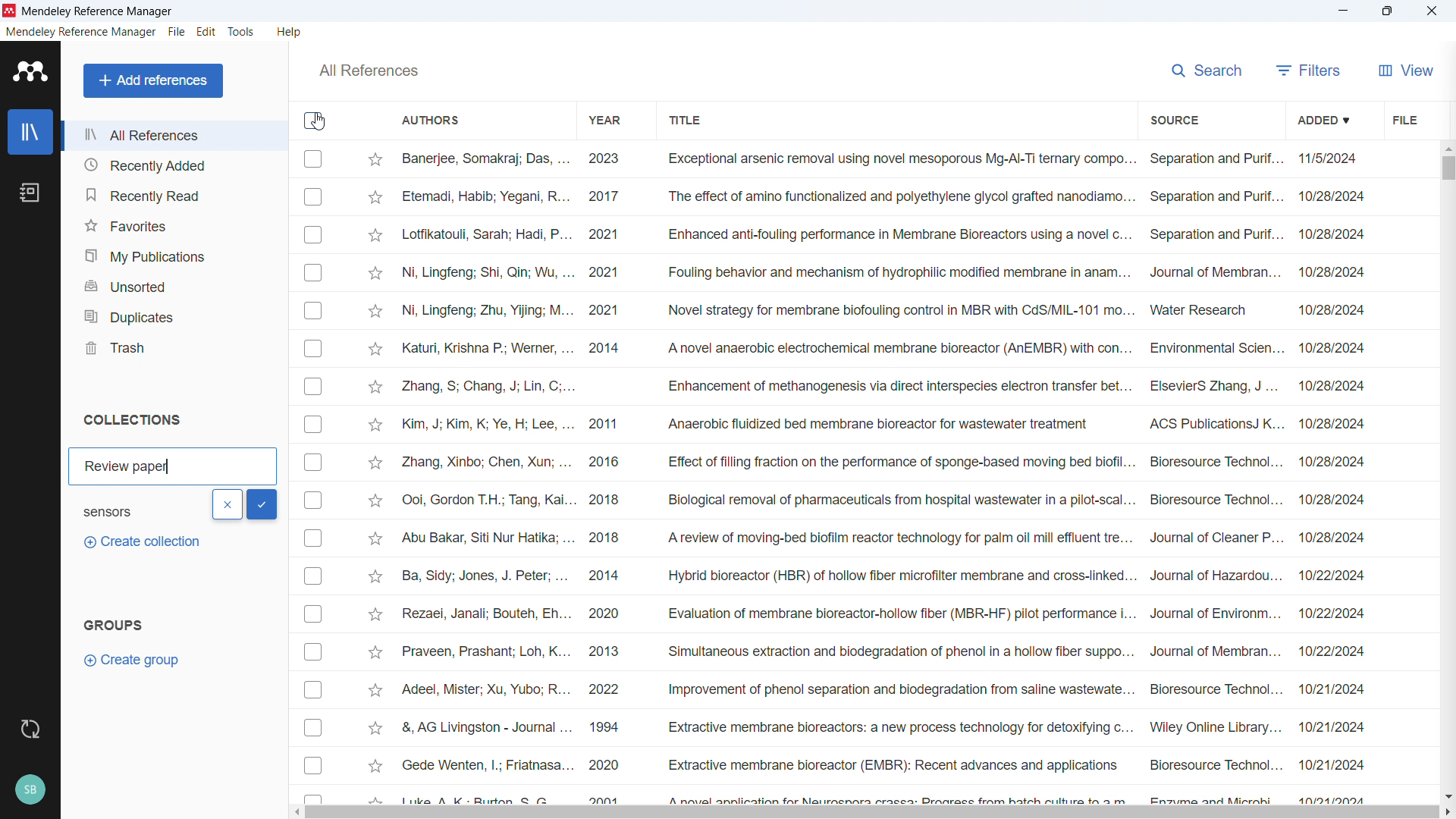 The height and width of the screenshot is (819, 1456). Describe the element at coordinates (300, 812) in the screenshot. I see `Scroll left ` at that location.